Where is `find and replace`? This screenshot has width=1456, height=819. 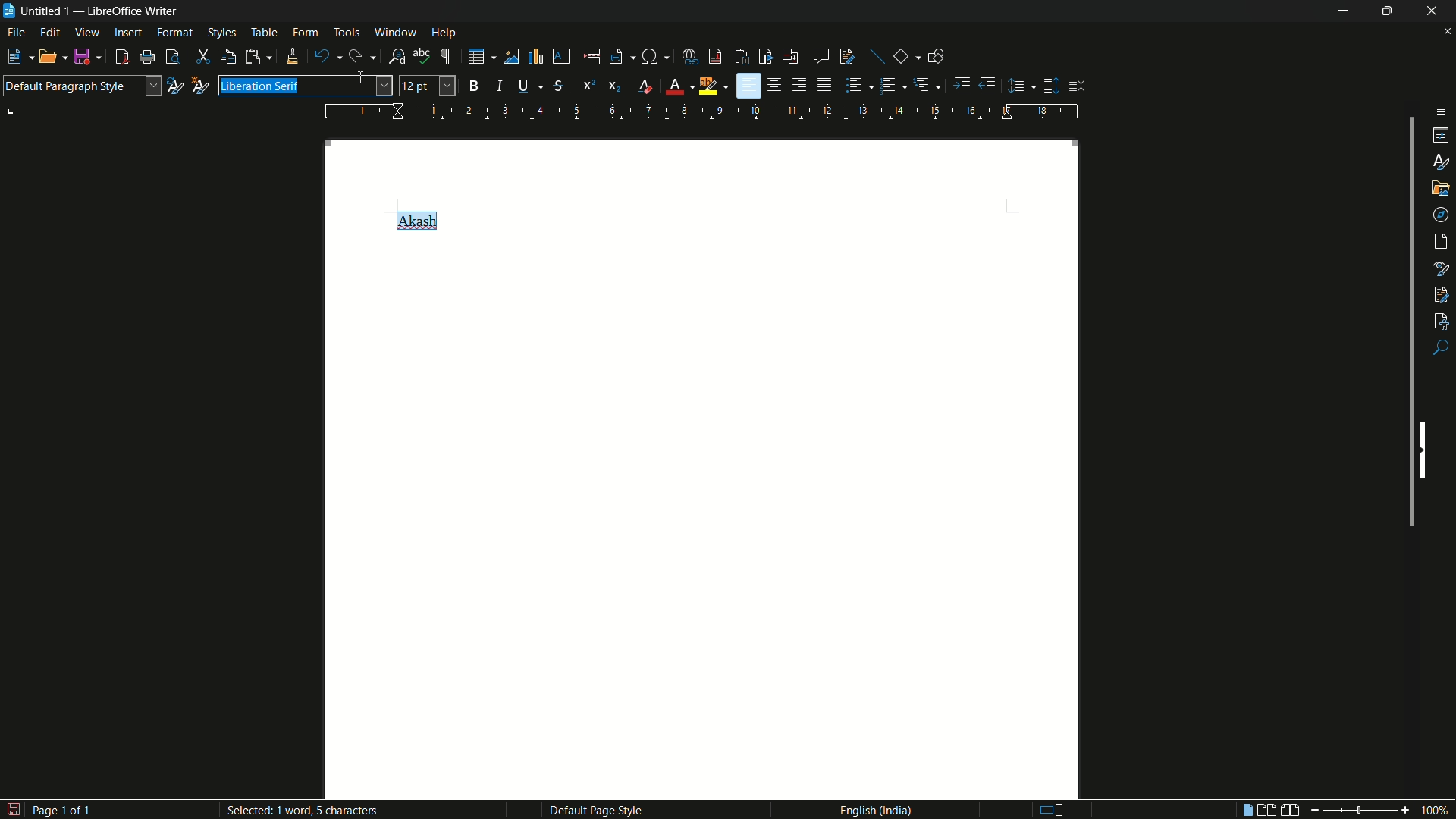
find and replace is located at coordinates (397, 57).